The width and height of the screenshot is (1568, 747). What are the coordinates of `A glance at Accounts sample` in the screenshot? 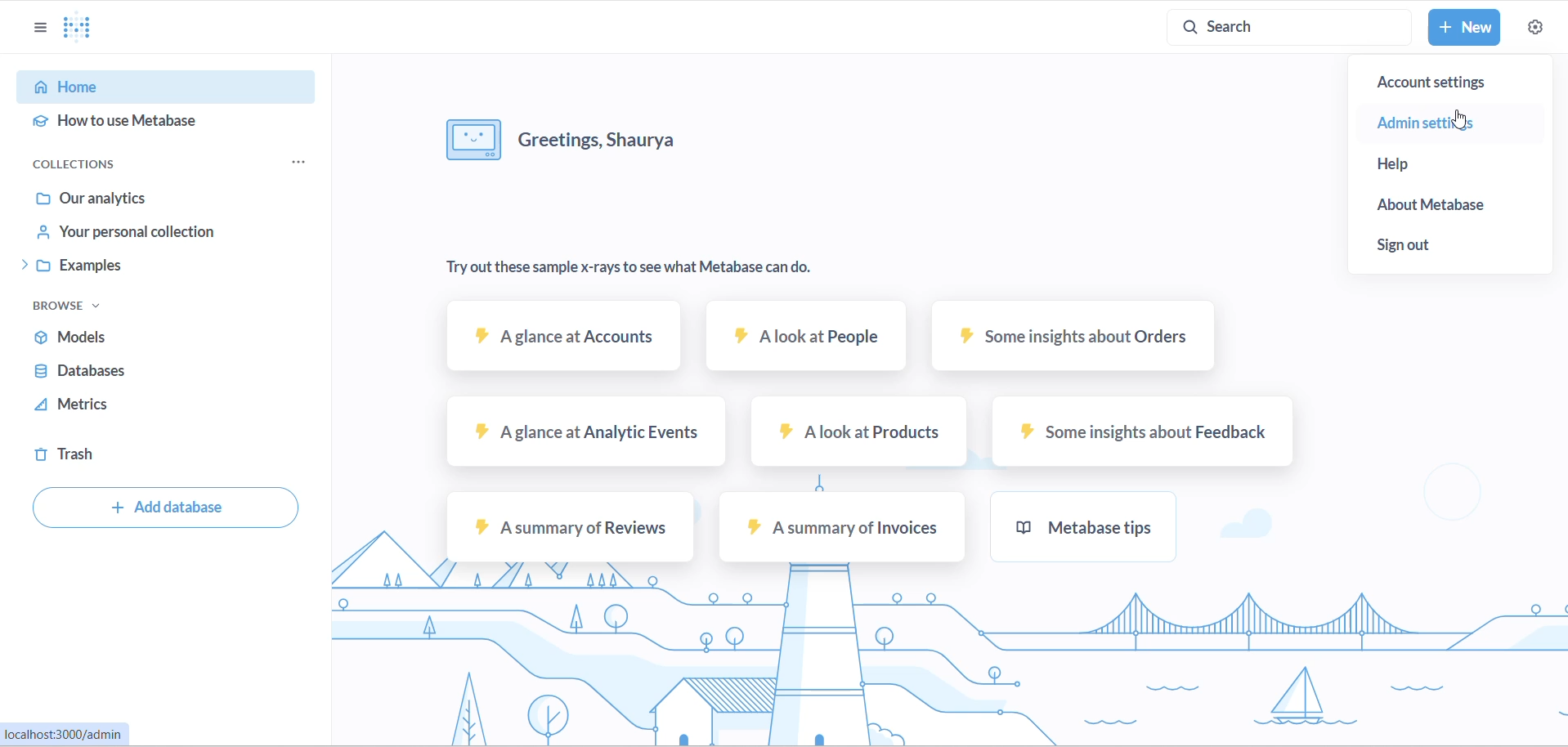 It's located at (566, 342).